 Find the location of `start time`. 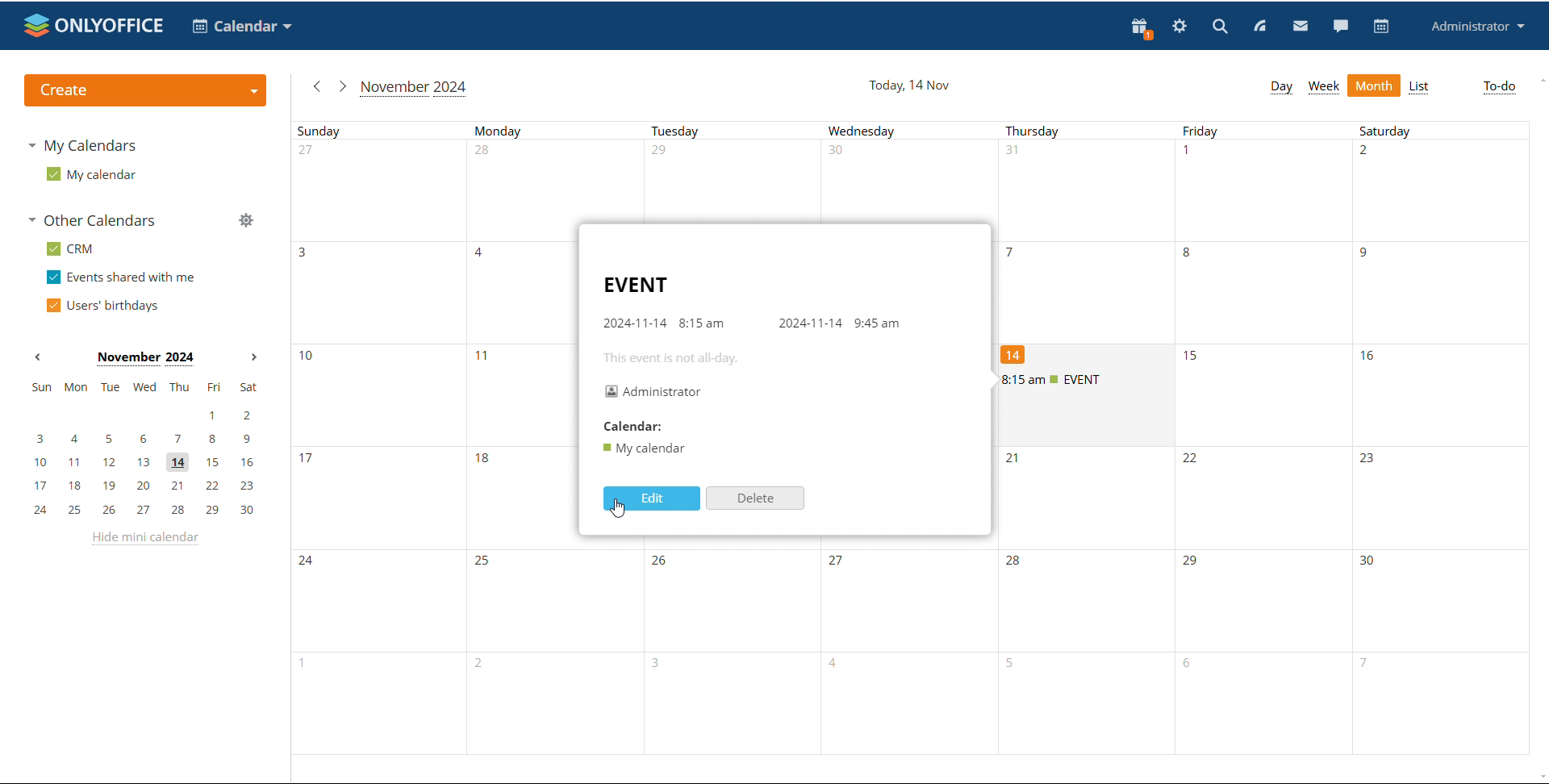

start time is located at coordinates (704, 323).